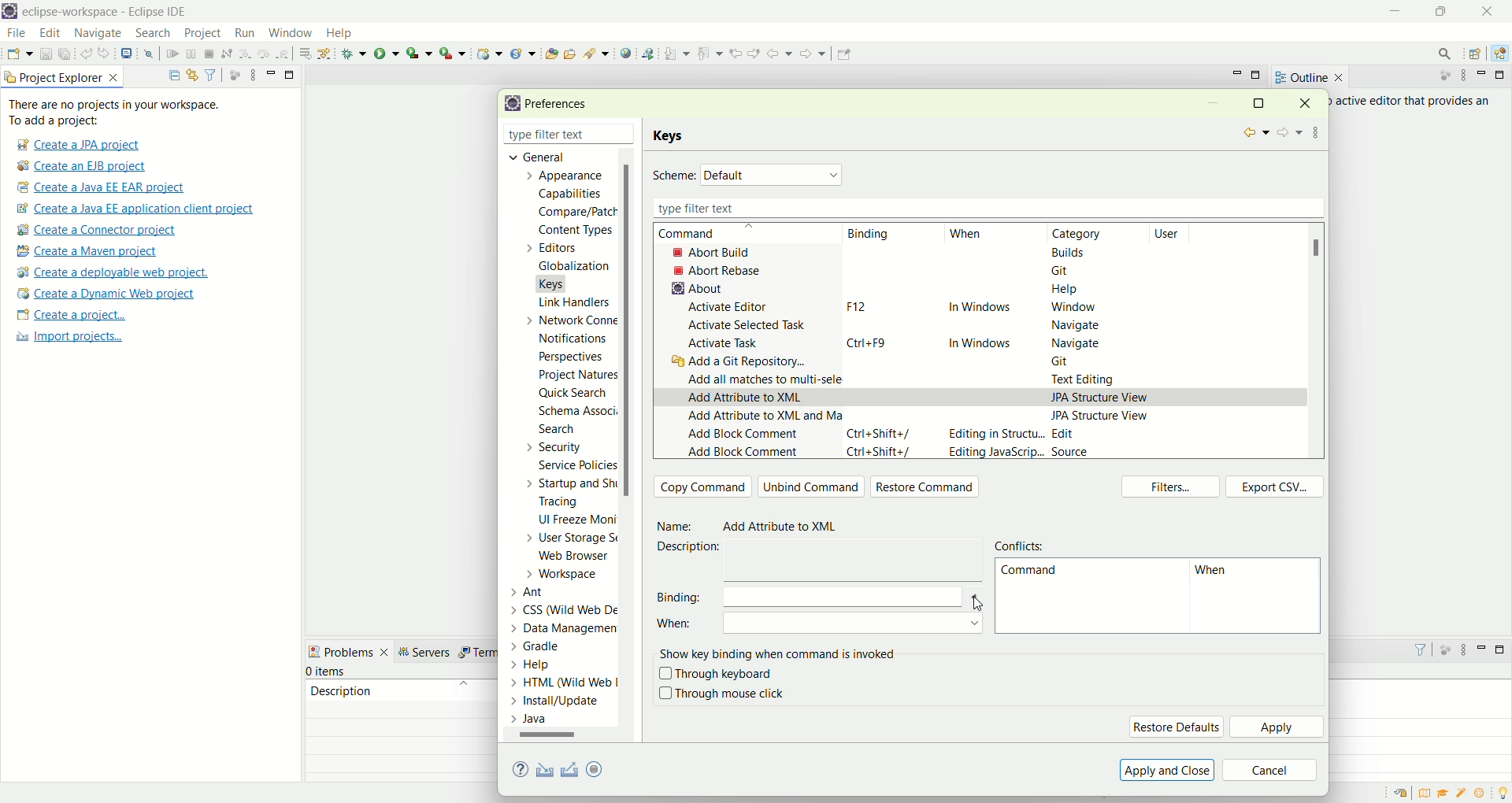 This screenshot has height=803, width=1512. Describe the element at coordinates (565, 683) in the screenshot. I see `> HTML (Wild Web |` at that location.